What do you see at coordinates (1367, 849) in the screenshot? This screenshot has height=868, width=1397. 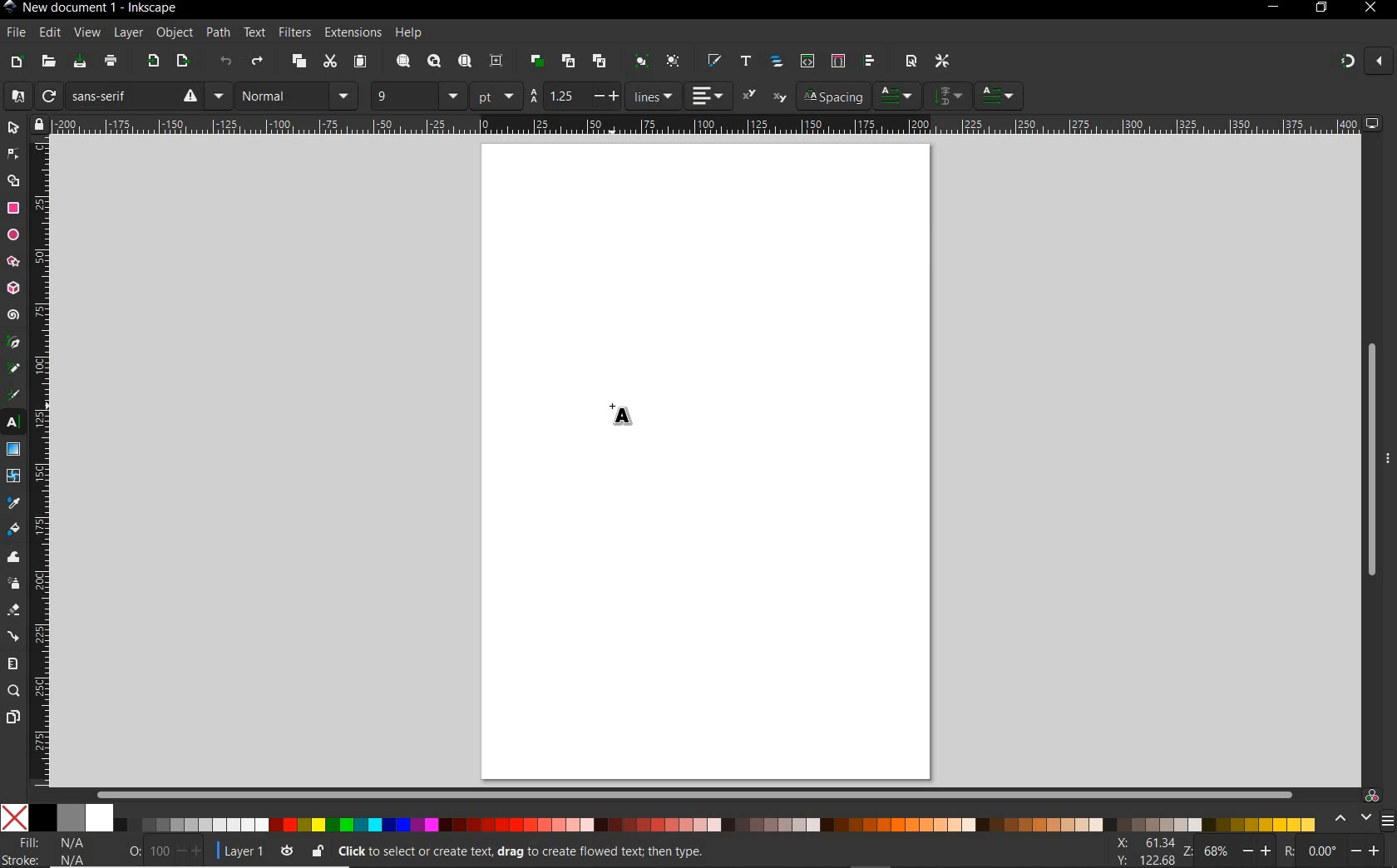 I see `increase/decrease` at bounding box center [1367, 849].